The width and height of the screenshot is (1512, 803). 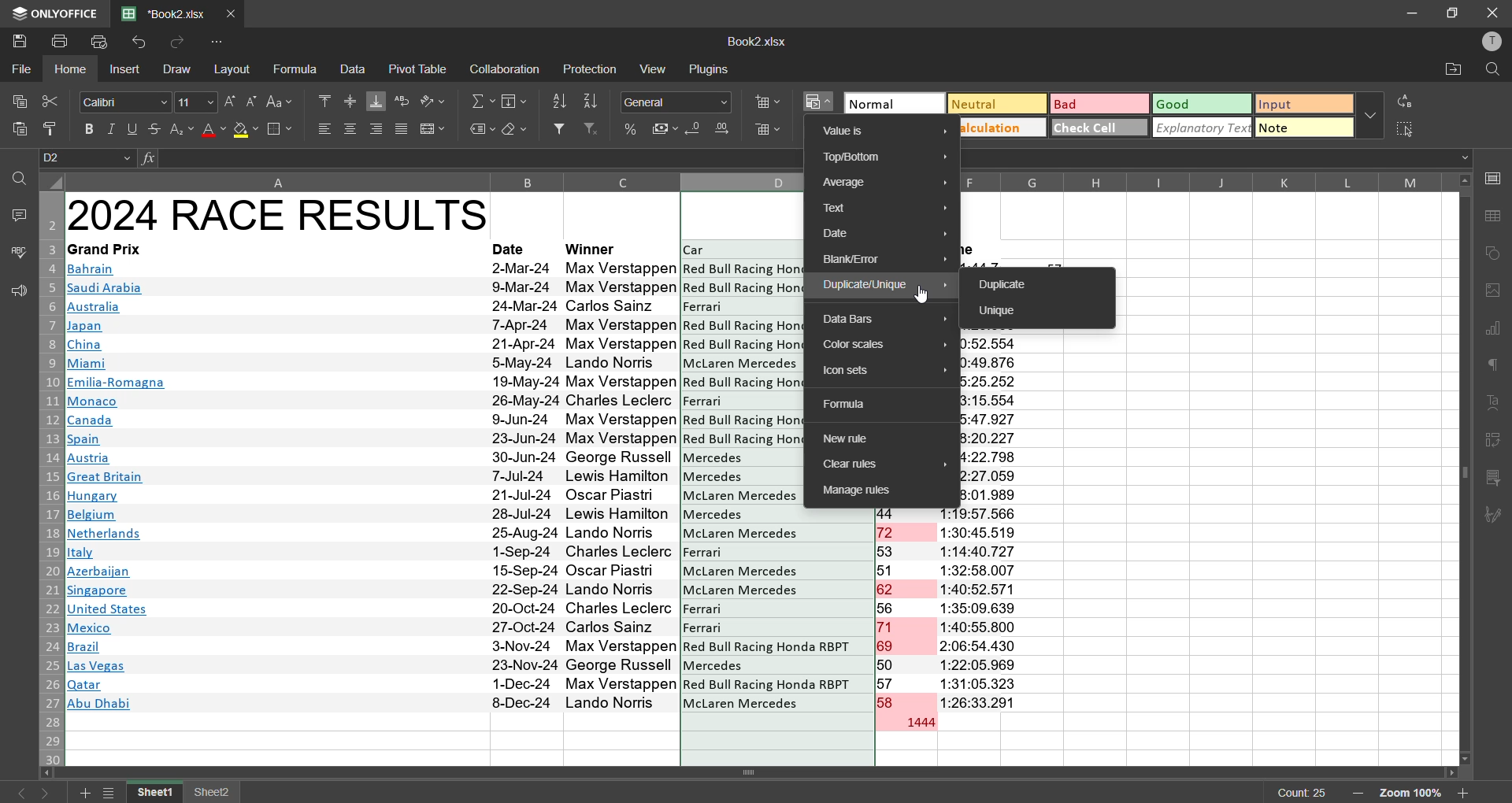 I want to click on decrease decimal, so click(x=696, y=131).